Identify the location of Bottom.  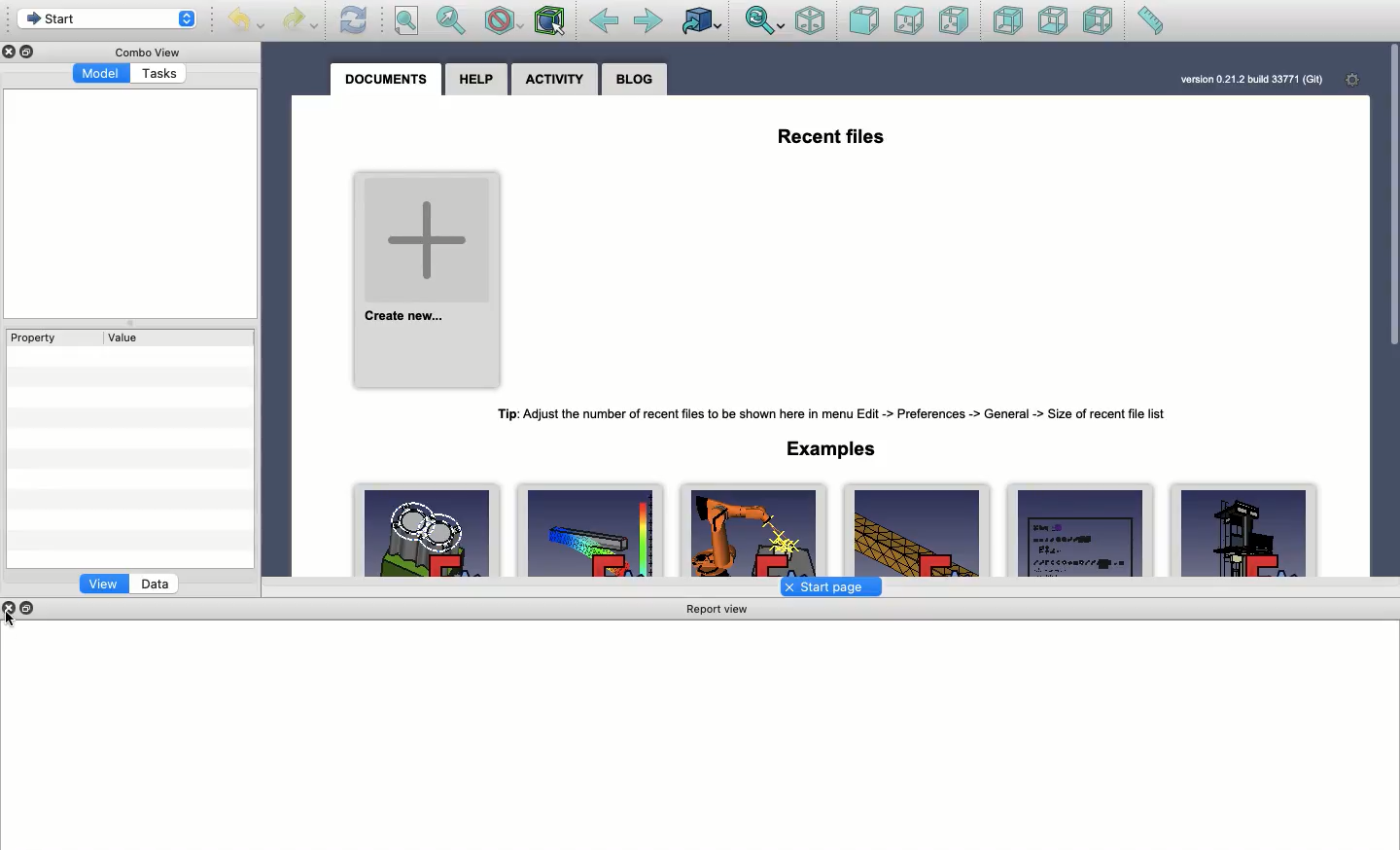
(1054, 22).